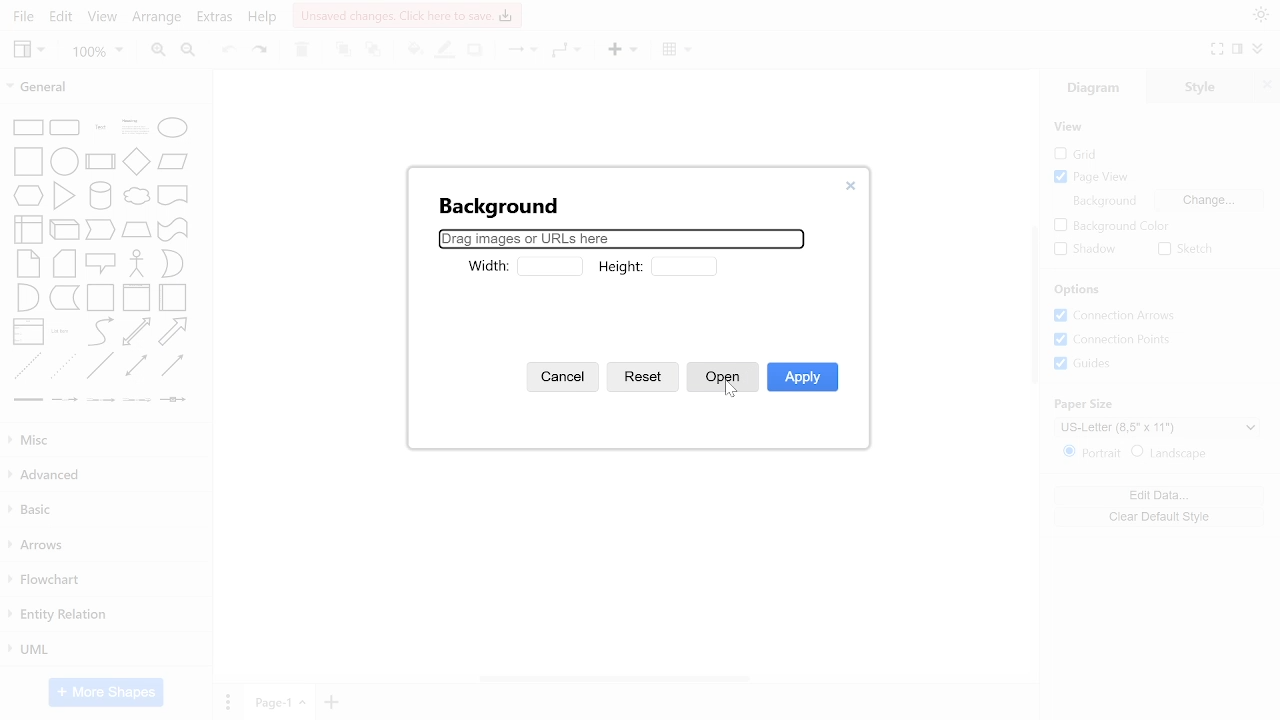  Describe the element at coordinates (1082, 250) in the screenshot. I see `shadow` at that location.